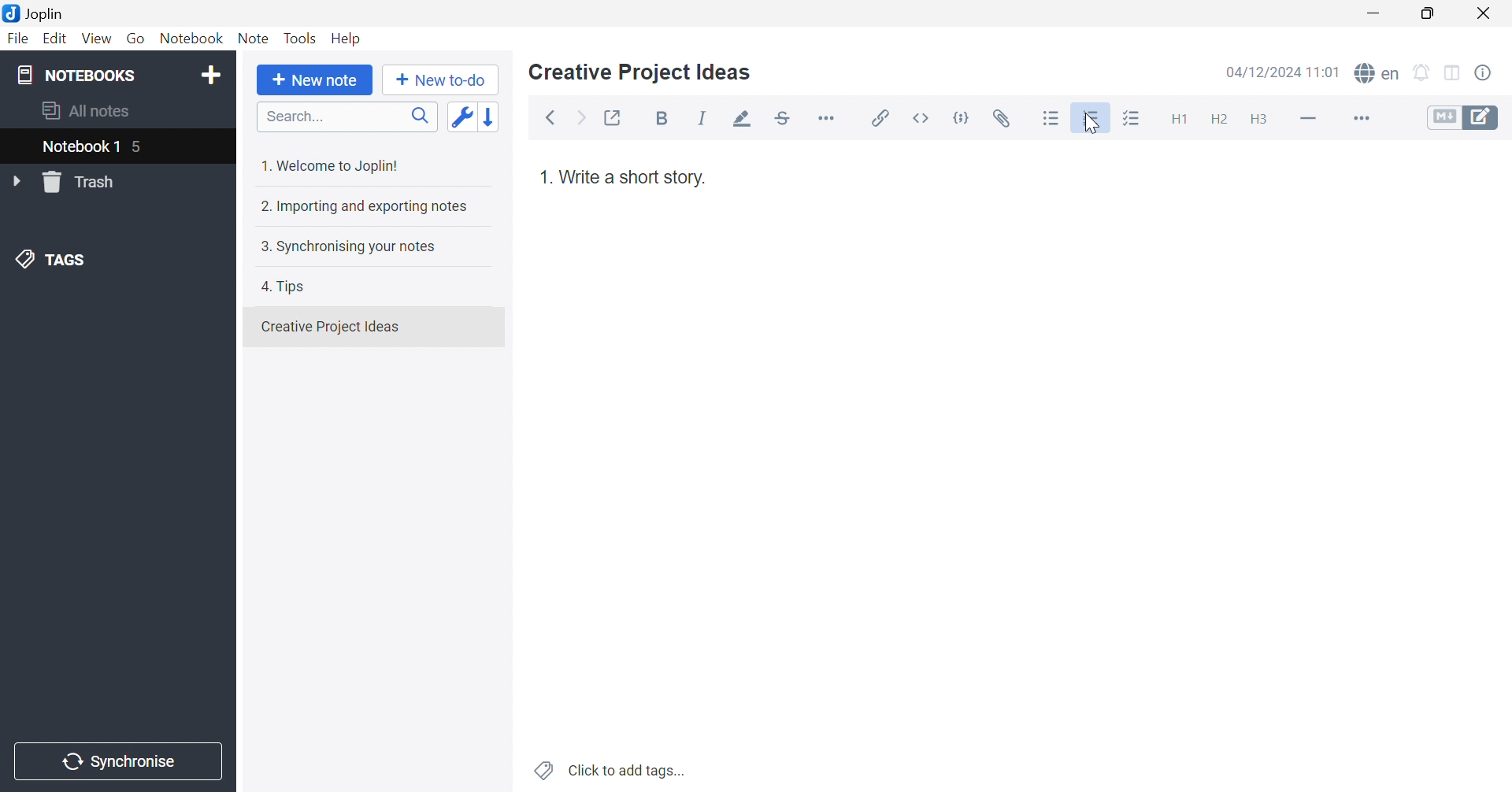 This screenshot has height=792, width=1512. I want to click on Set alarm, so click(1423, 72).